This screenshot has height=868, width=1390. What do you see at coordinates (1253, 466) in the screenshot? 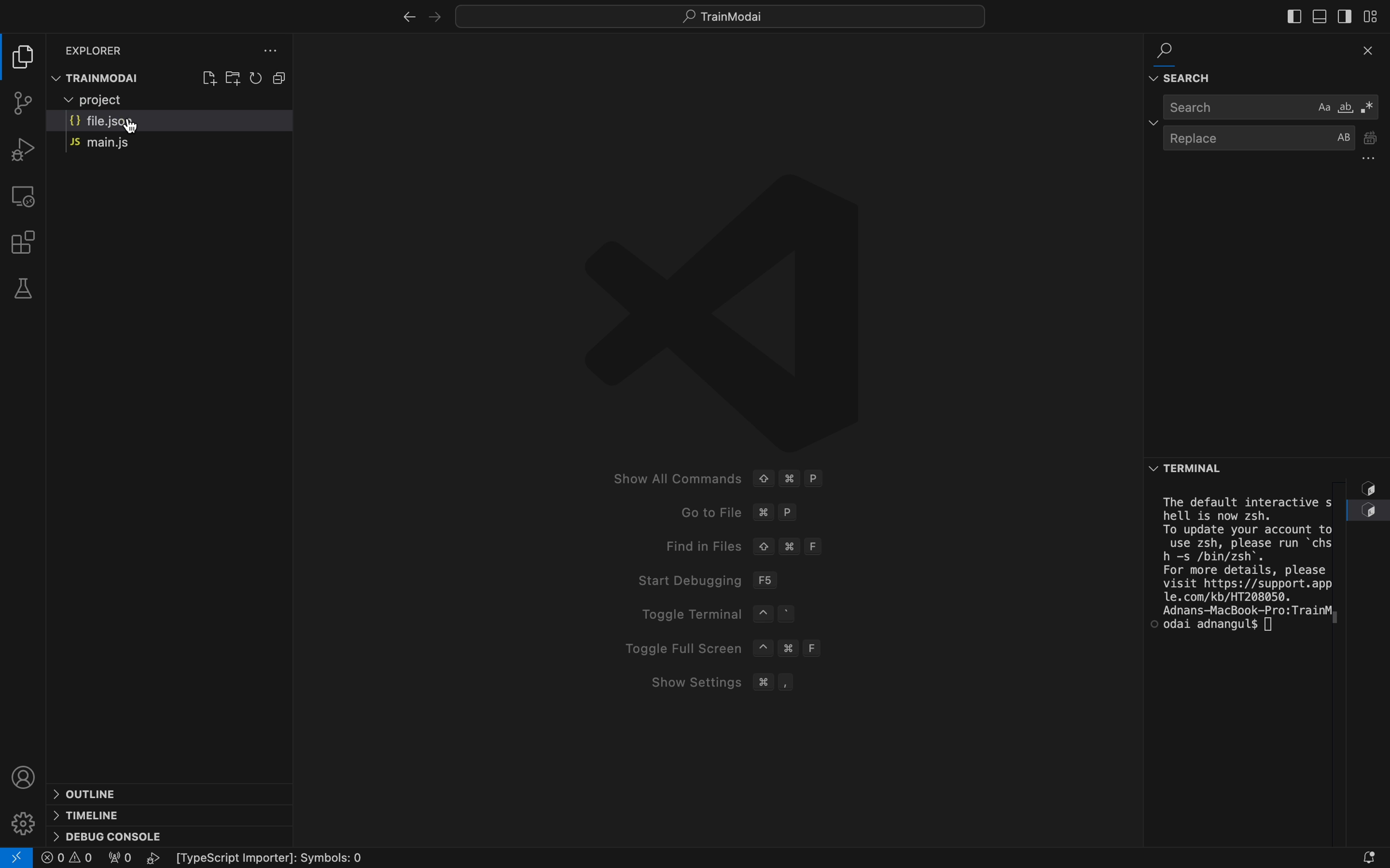
I see `terminal` at bounding box center [1253, 466].